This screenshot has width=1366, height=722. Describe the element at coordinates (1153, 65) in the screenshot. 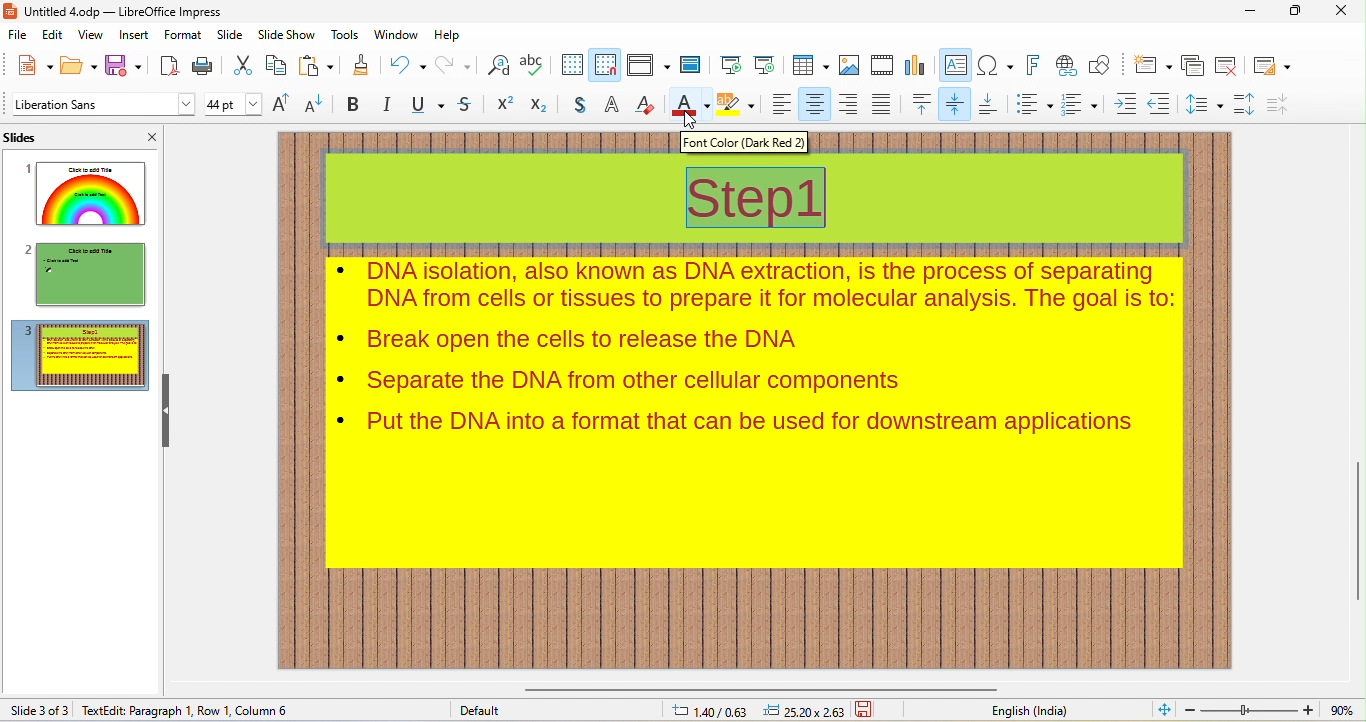

I see `new slide` at that location.